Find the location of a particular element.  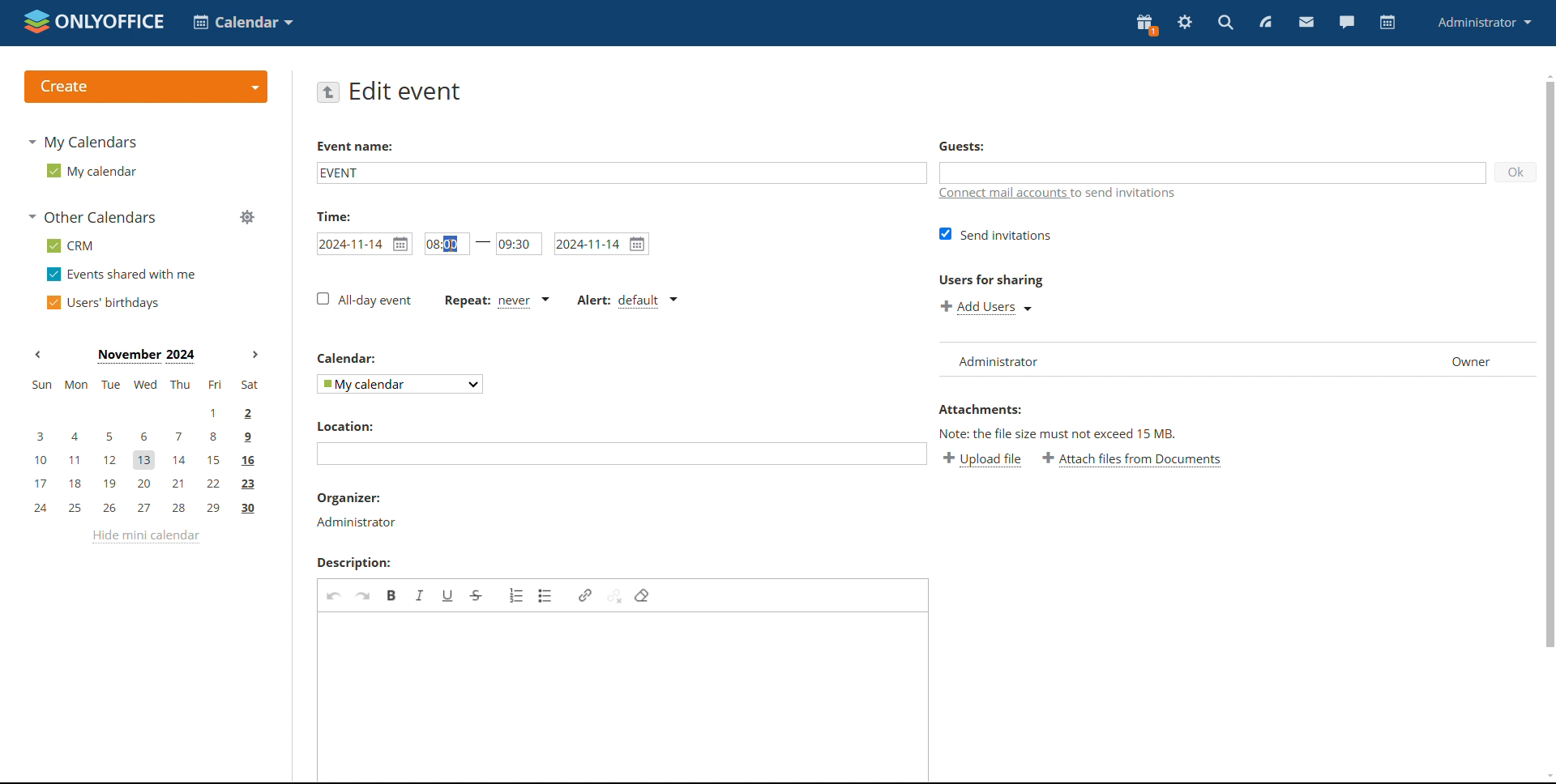

attachments is located at coordinates (981, 409).